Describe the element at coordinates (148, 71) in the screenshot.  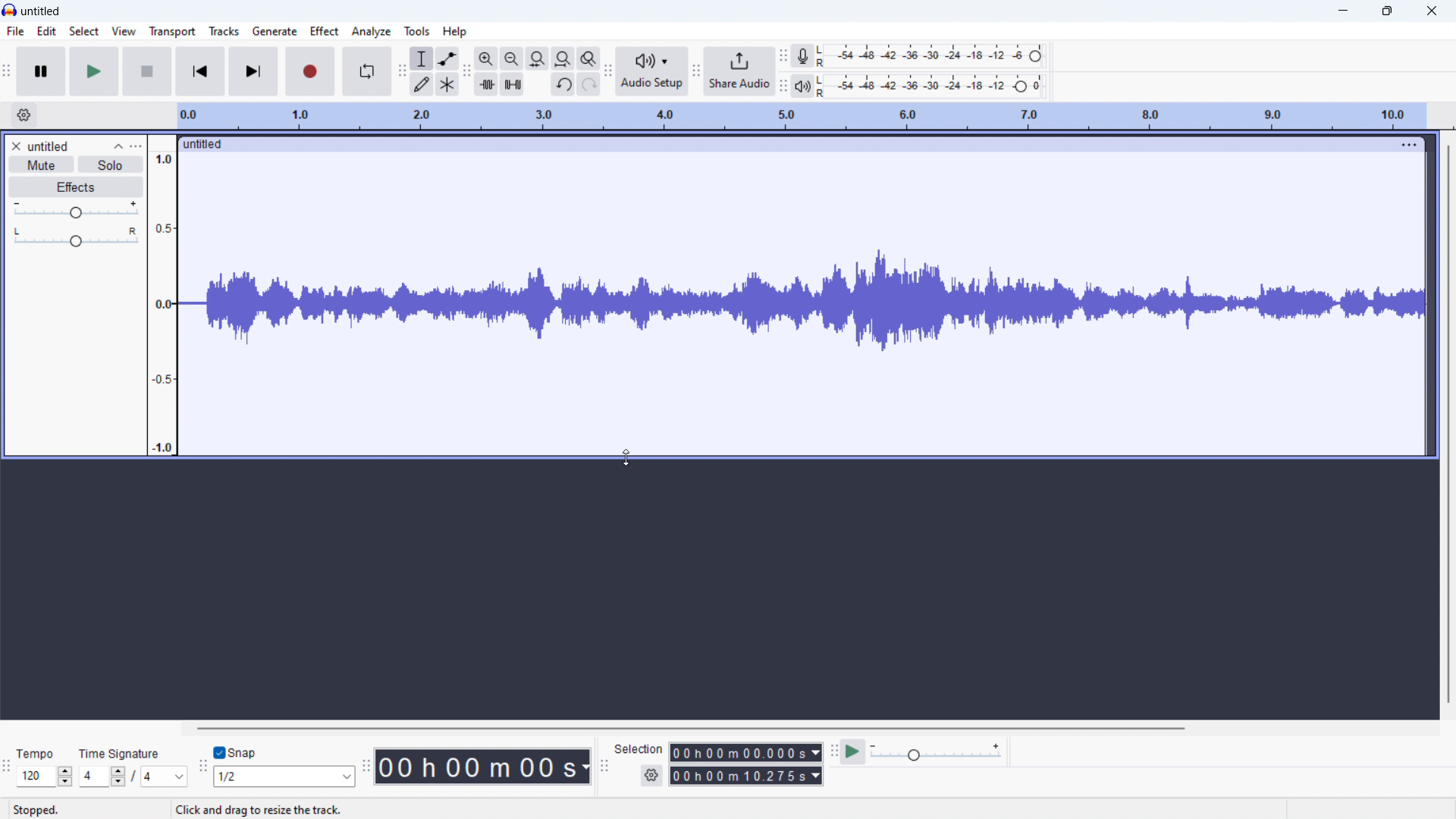
I see `stop` at that location.